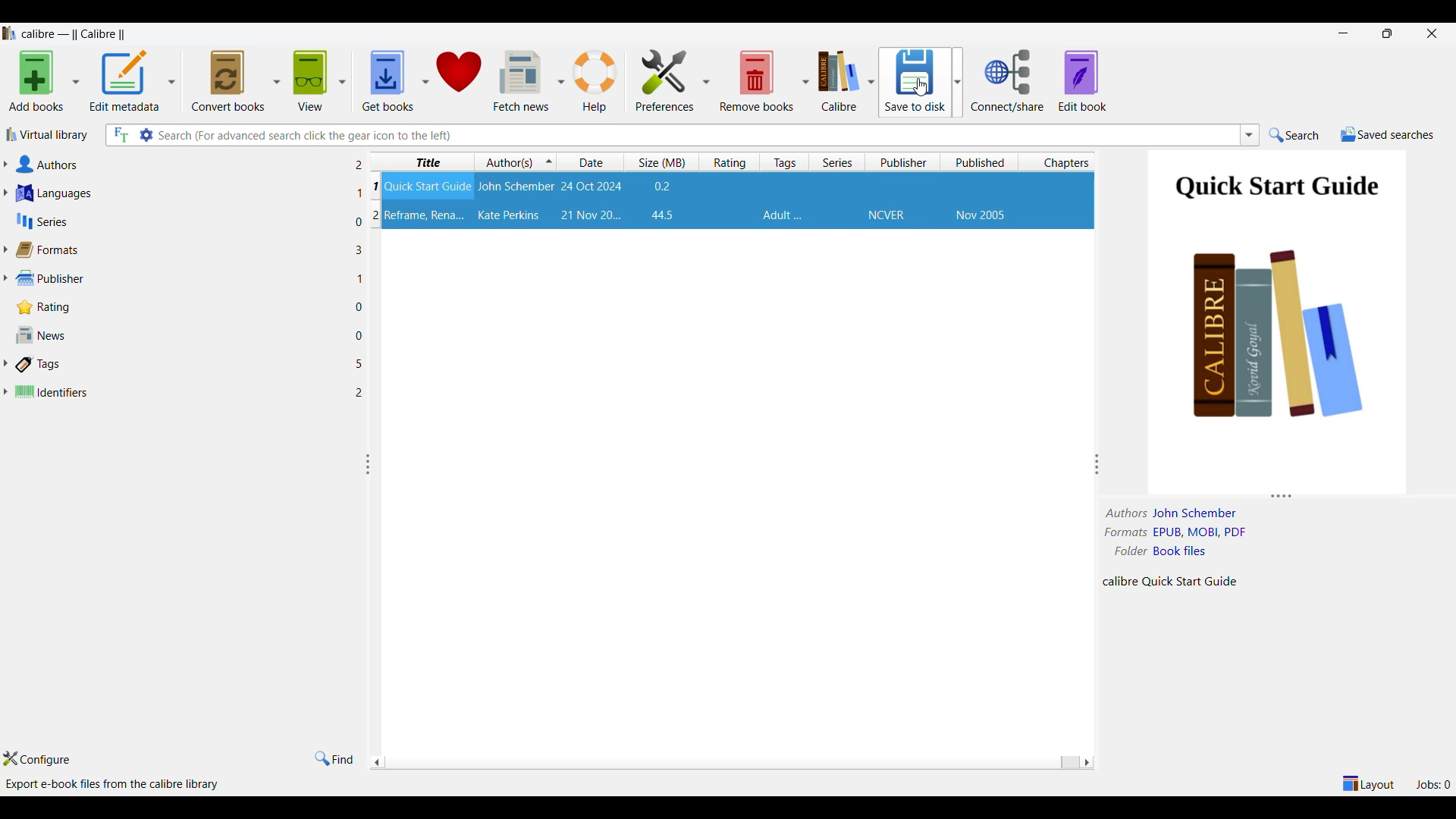 Image resolution: width=1456 pixels, height=819 pixels. What do you see at coordinates (356, 193) in the screenshot?
I see `1` at bounding box center [356, 193].